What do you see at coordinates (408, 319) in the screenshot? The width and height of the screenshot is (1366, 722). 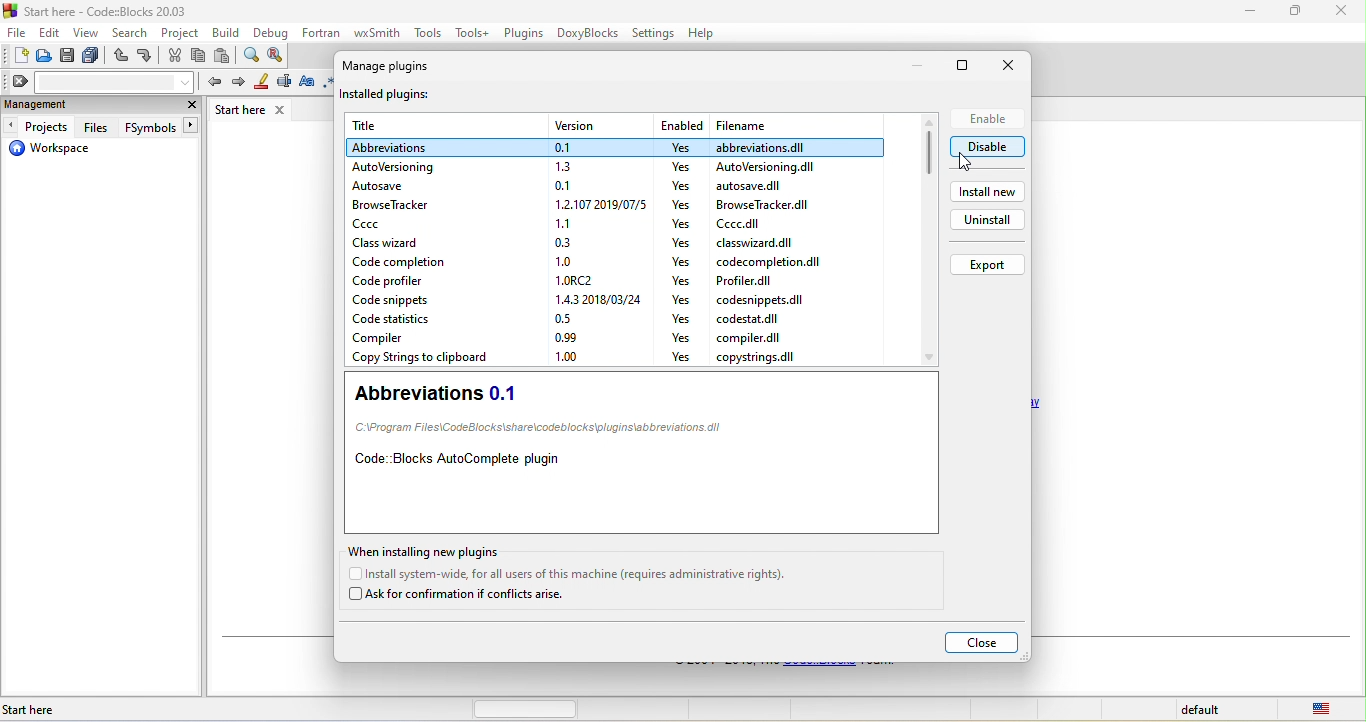 I see `code statistics` at bounding box center [408, 319].